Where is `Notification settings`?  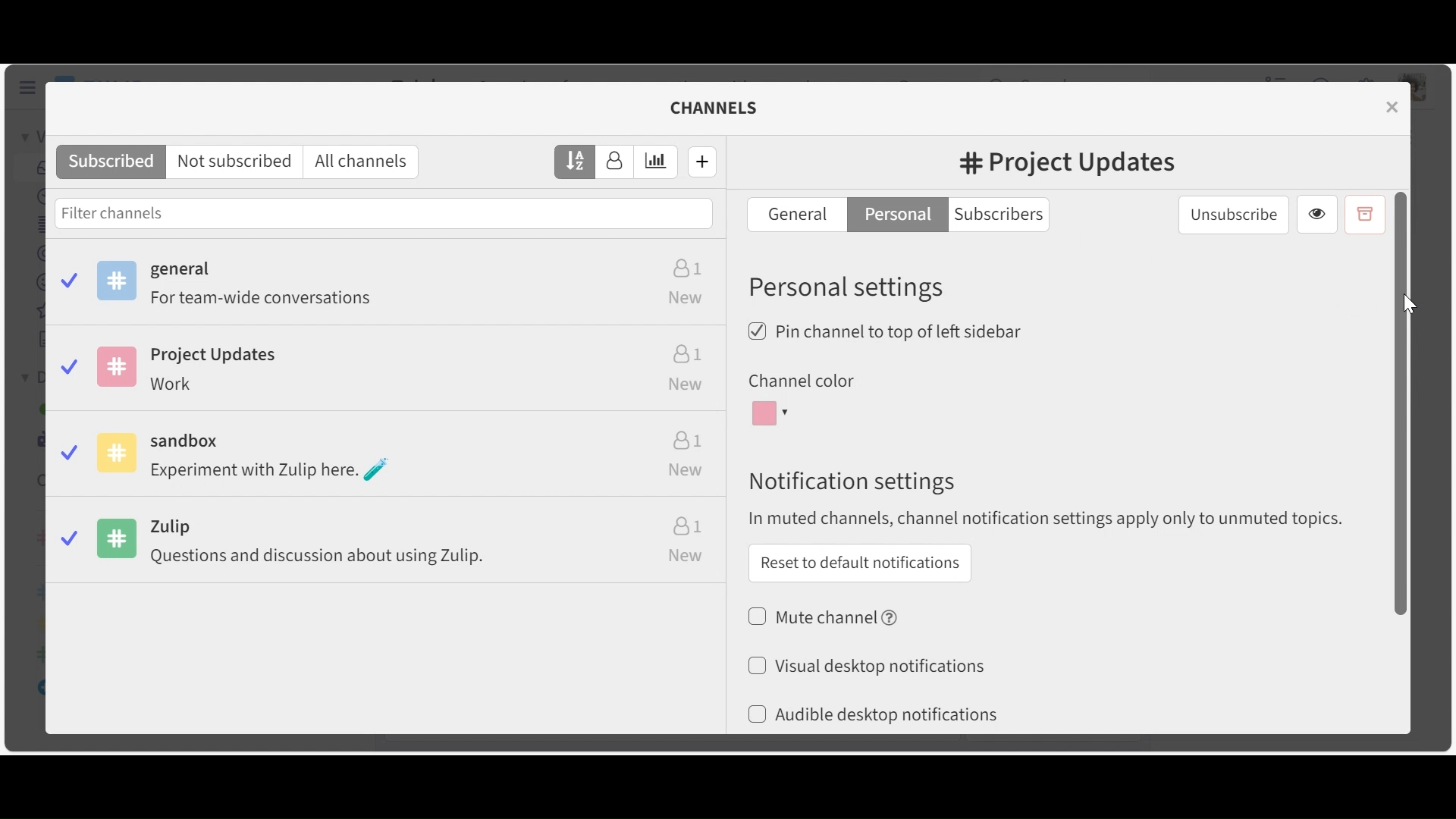 Notification settings is located at coordinates (852, 482).